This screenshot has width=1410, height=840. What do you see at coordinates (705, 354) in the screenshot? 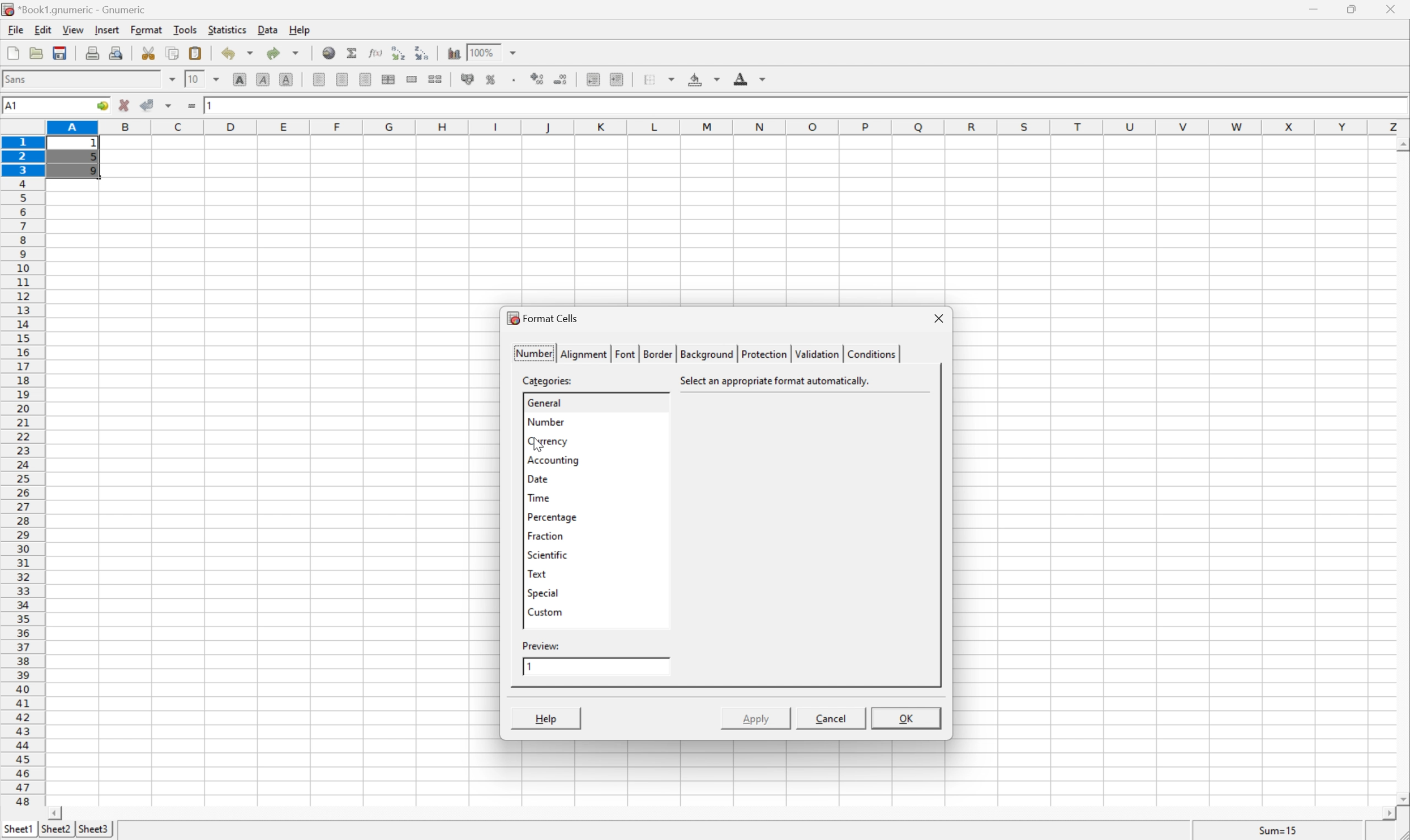
I see `background` at bounding box center [705, 354].